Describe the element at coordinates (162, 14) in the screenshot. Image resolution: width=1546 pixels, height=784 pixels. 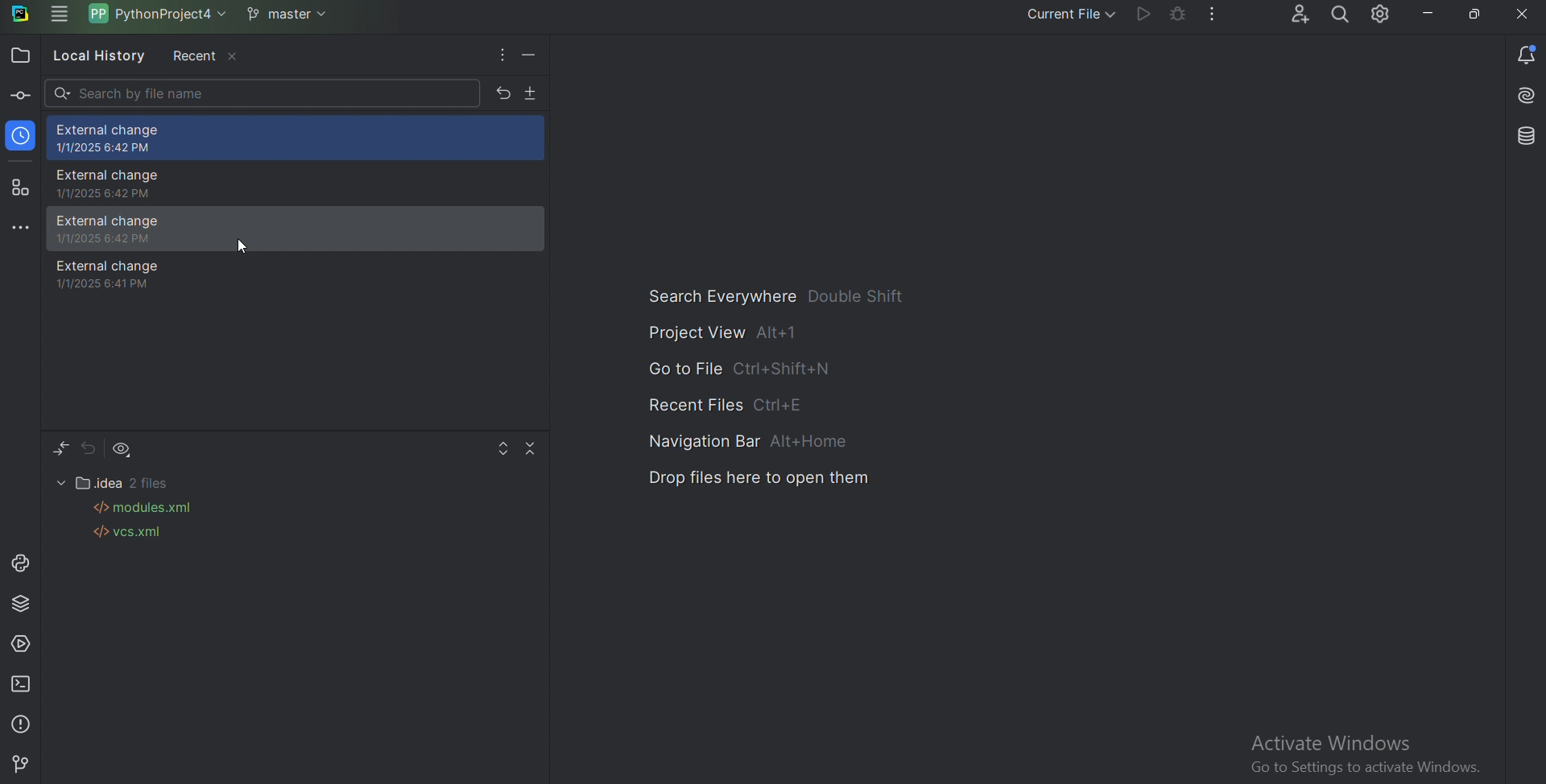
I see `project name` at that location.